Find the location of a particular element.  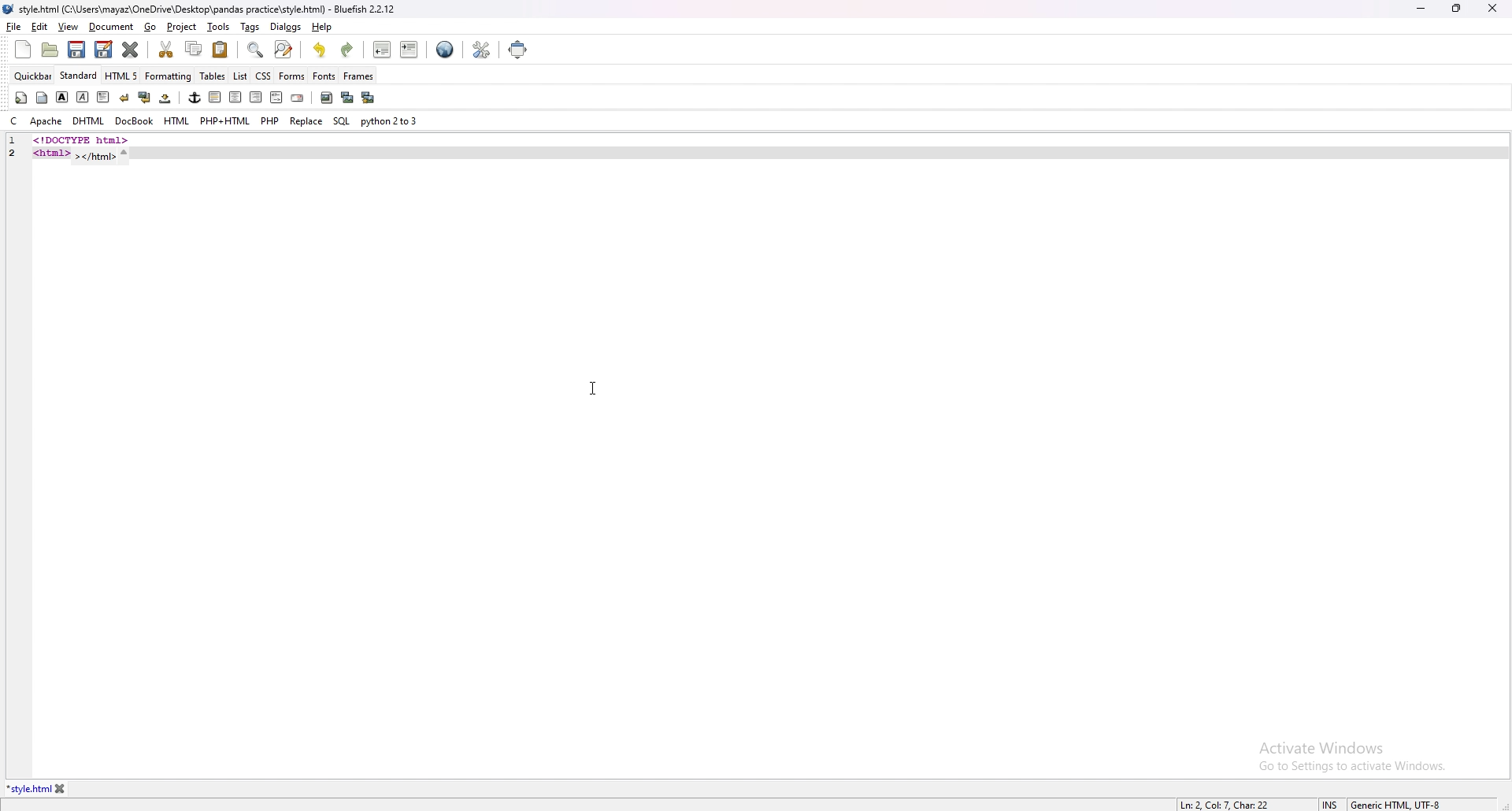

close is located at coordinates (1492, 8).